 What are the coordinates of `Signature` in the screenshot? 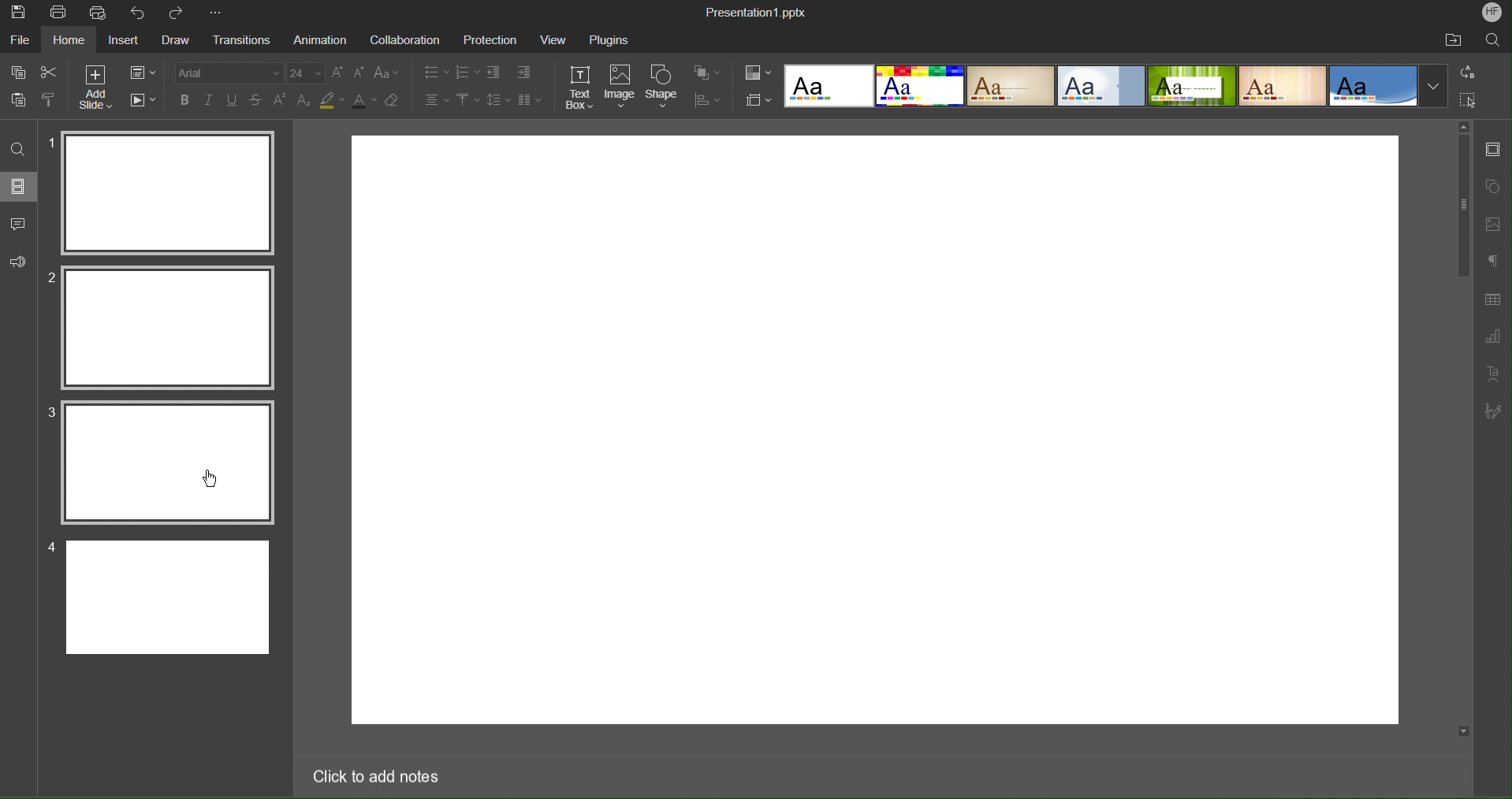 It's located at (1496, 411).